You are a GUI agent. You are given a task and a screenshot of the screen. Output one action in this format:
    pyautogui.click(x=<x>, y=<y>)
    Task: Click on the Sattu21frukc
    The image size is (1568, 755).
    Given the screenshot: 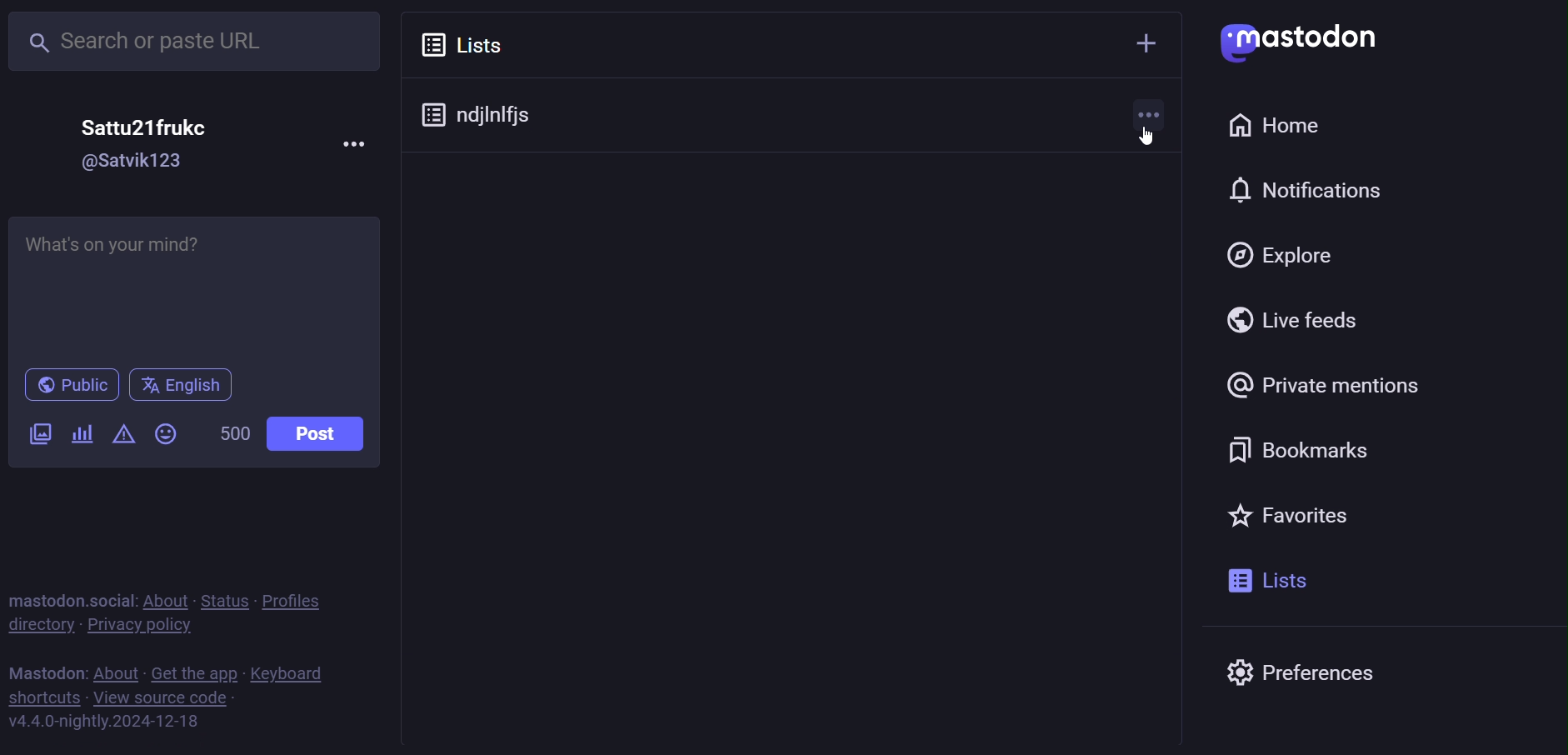 What is the action you would take?
    pyautogui.click(x=145, y=124)
    